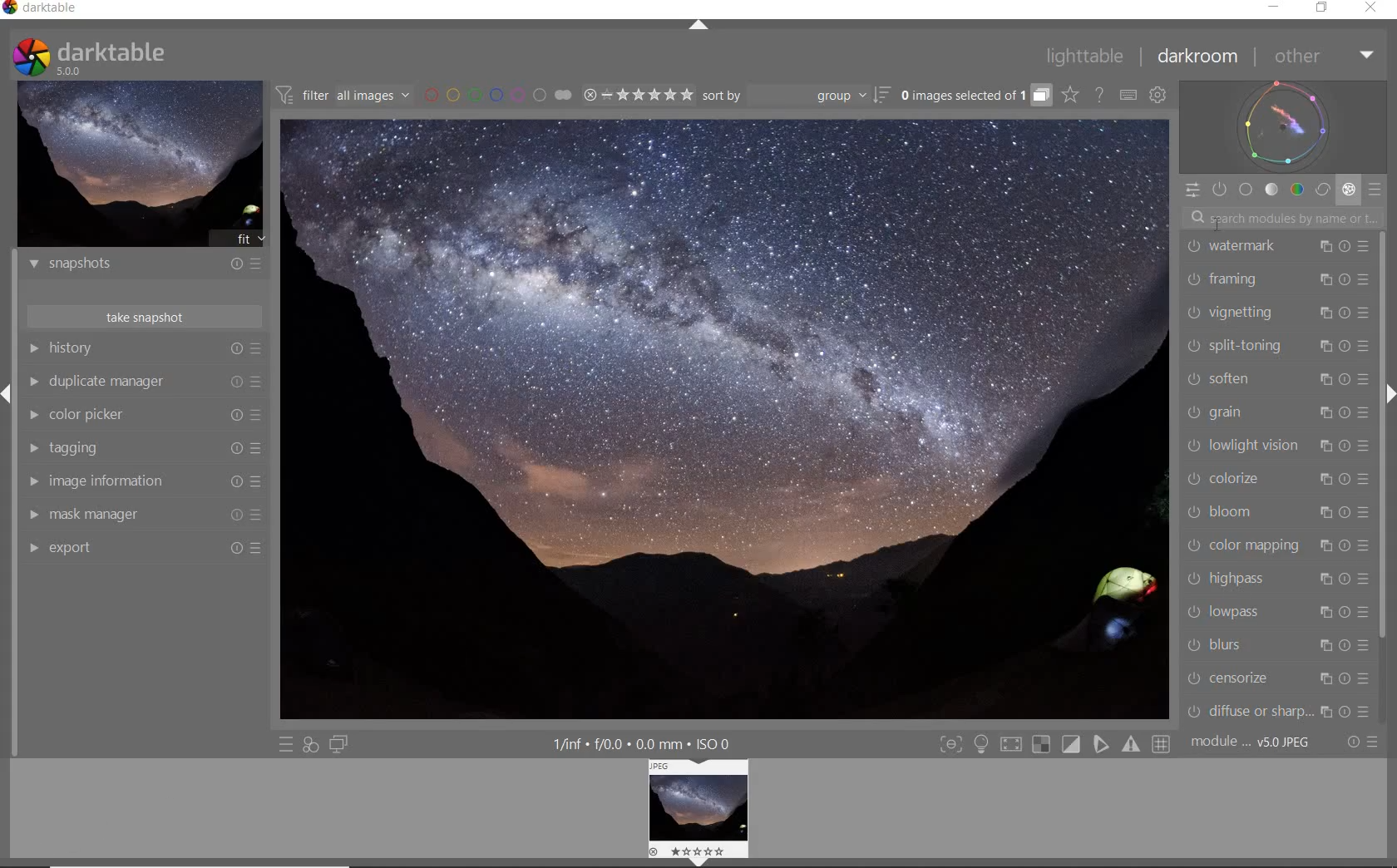  What do you see at coordinates (1322, 579) in the screenshot?
I see `multiple instance actions` at bounding box center [1322, 579].